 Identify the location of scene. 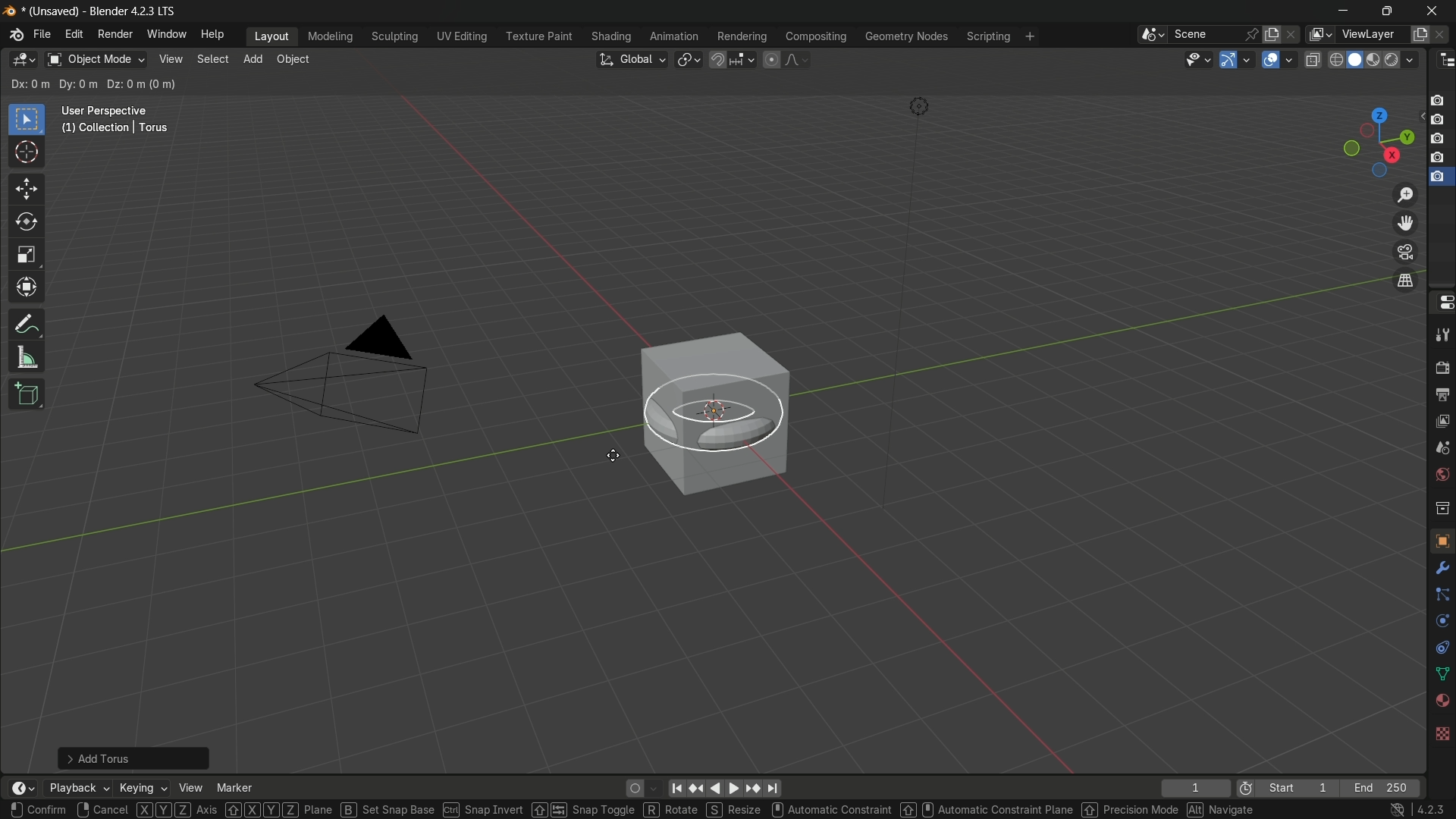
(1204, 34).